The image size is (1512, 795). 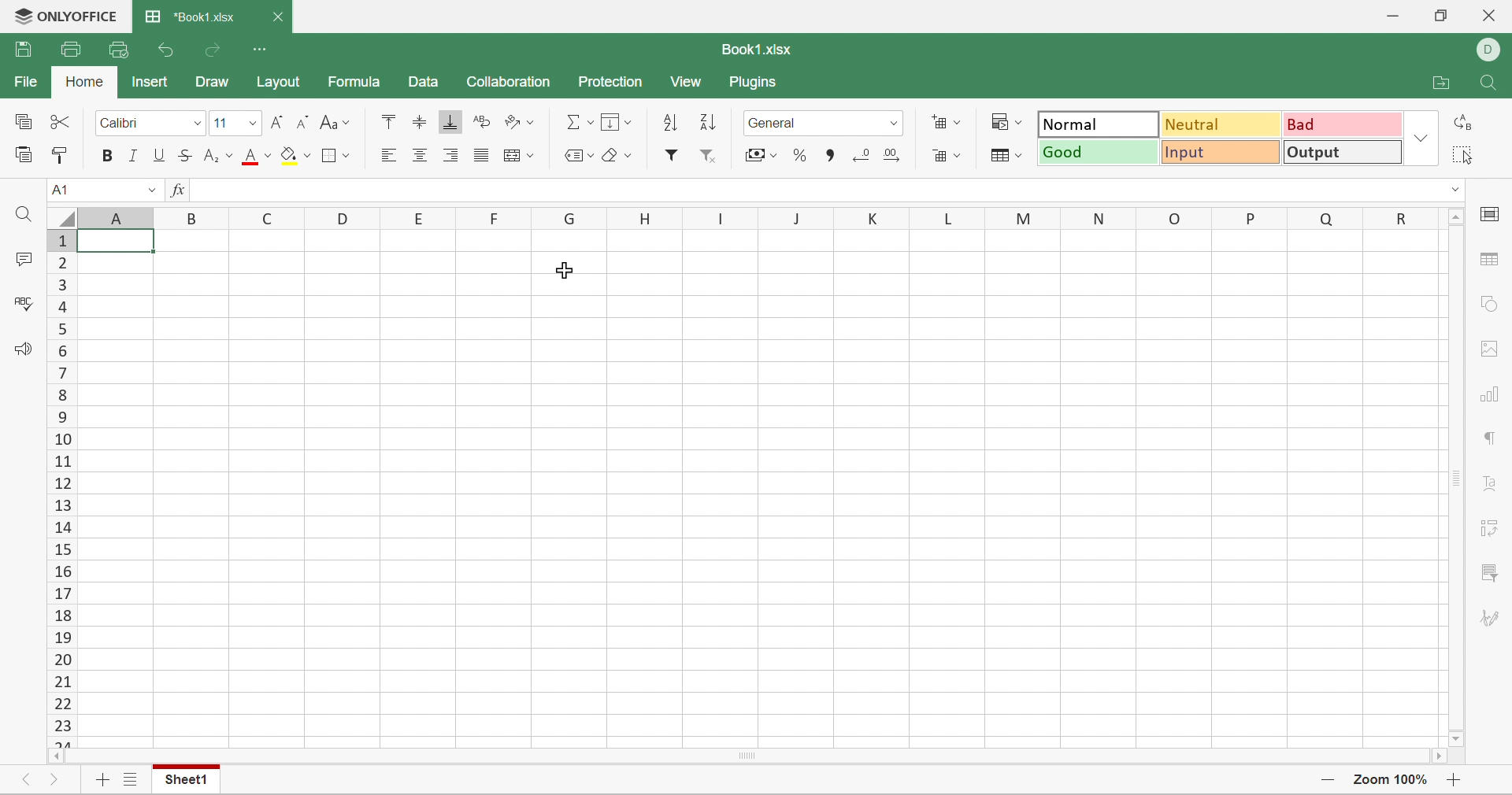 What do you see at coordinates (24, 123) in the screenshot?
I see `Copy` at bounding box center [24, 123].